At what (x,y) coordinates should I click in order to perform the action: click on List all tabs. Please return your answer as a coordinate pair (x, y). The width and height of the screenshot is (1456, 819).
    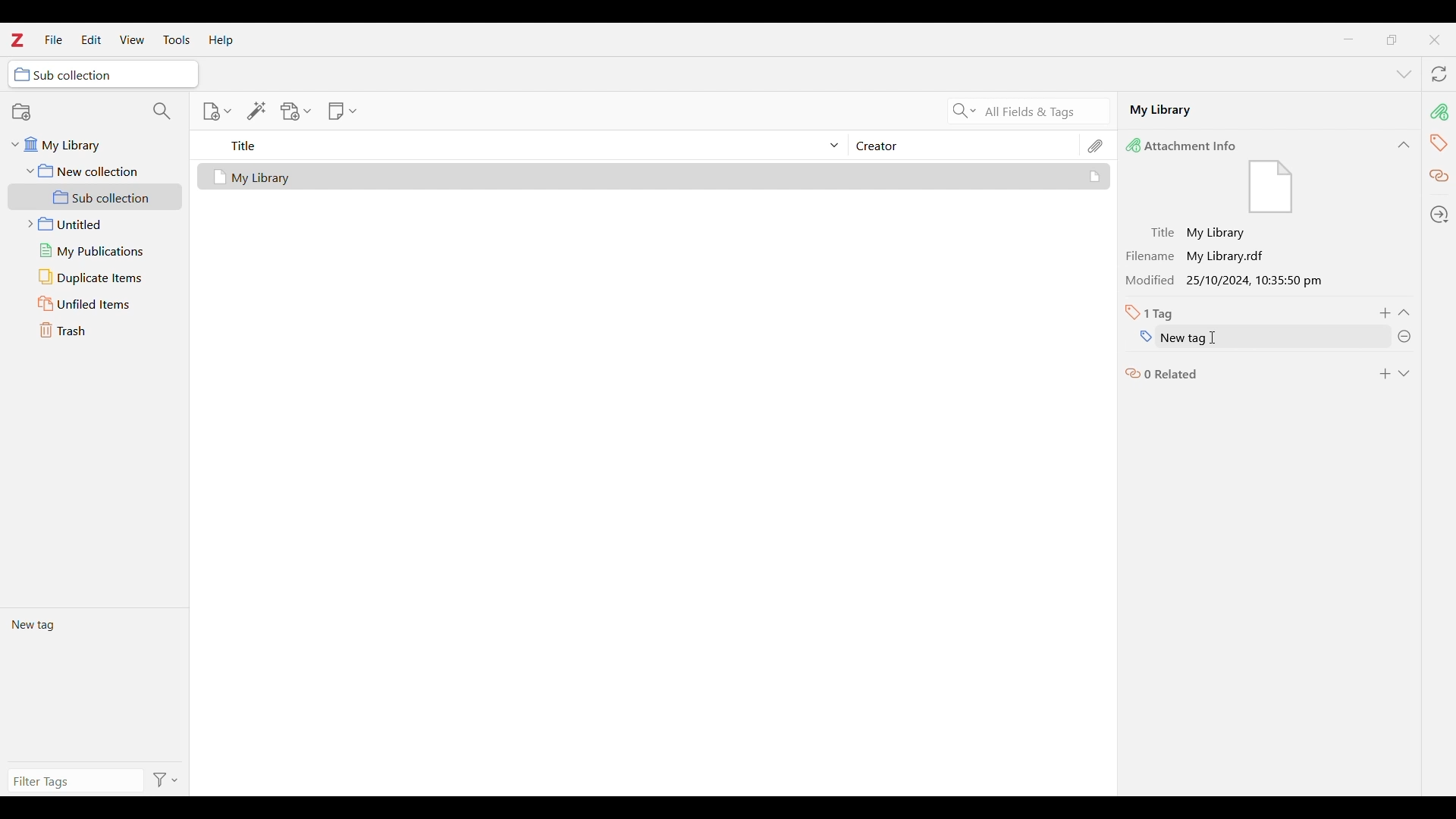
    Looking at the image, I should click on (1404, 75).